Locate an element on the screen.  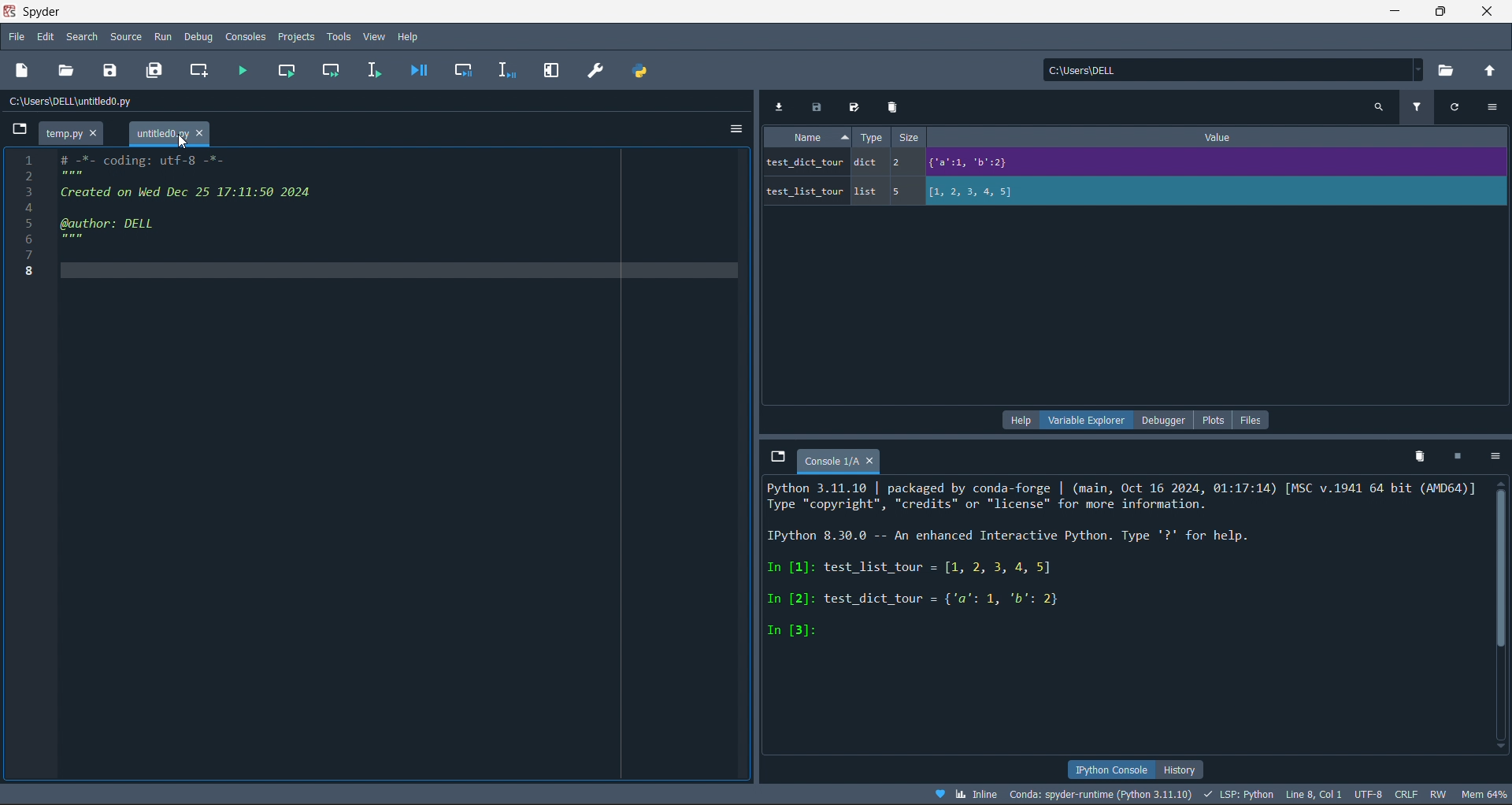
options is located at coordinates (736, 125).